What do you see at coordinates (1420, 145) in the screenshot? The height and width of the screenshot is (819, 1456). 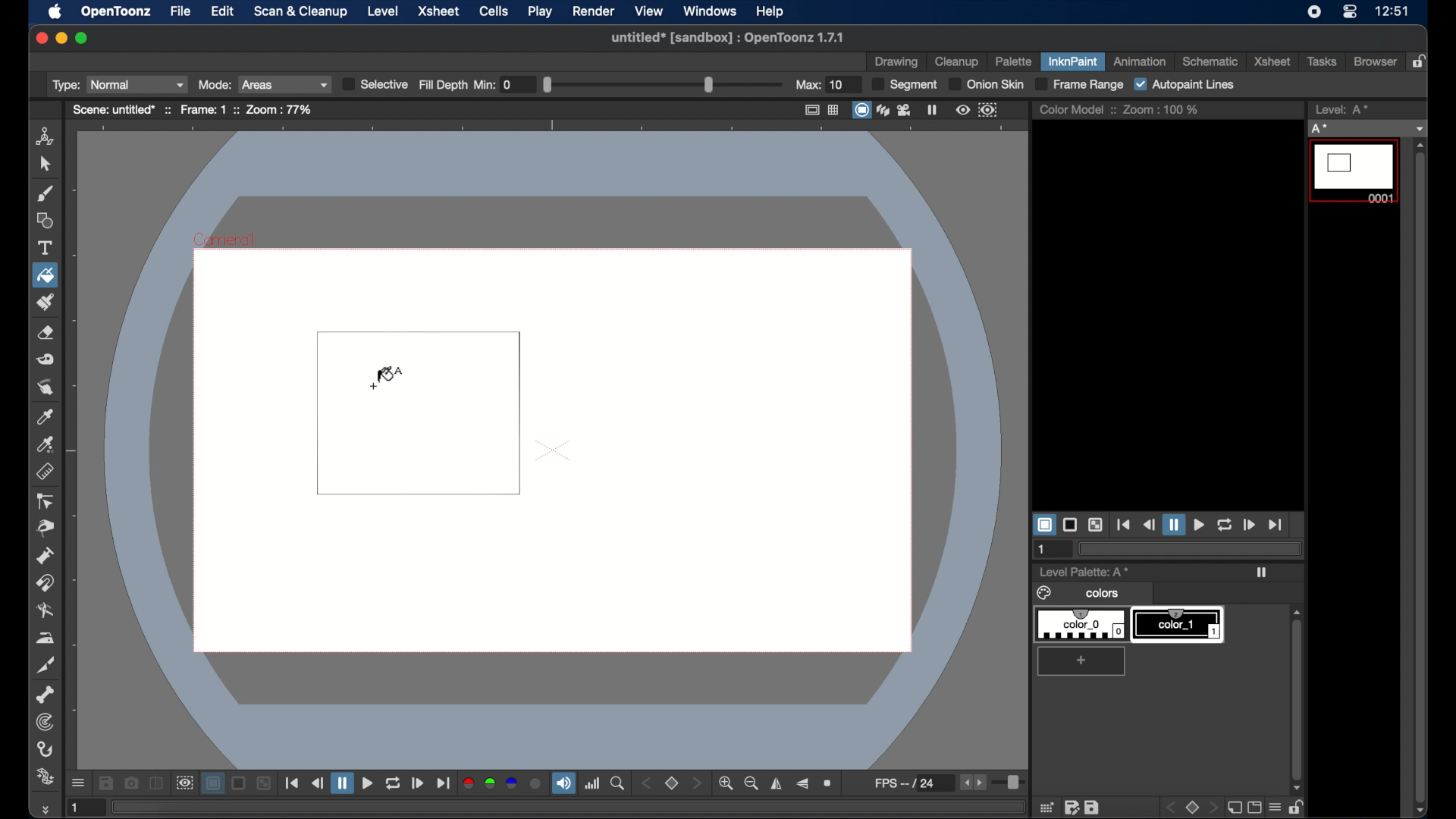 I see `scroll up arrow` at bounding box center [1420, 145].